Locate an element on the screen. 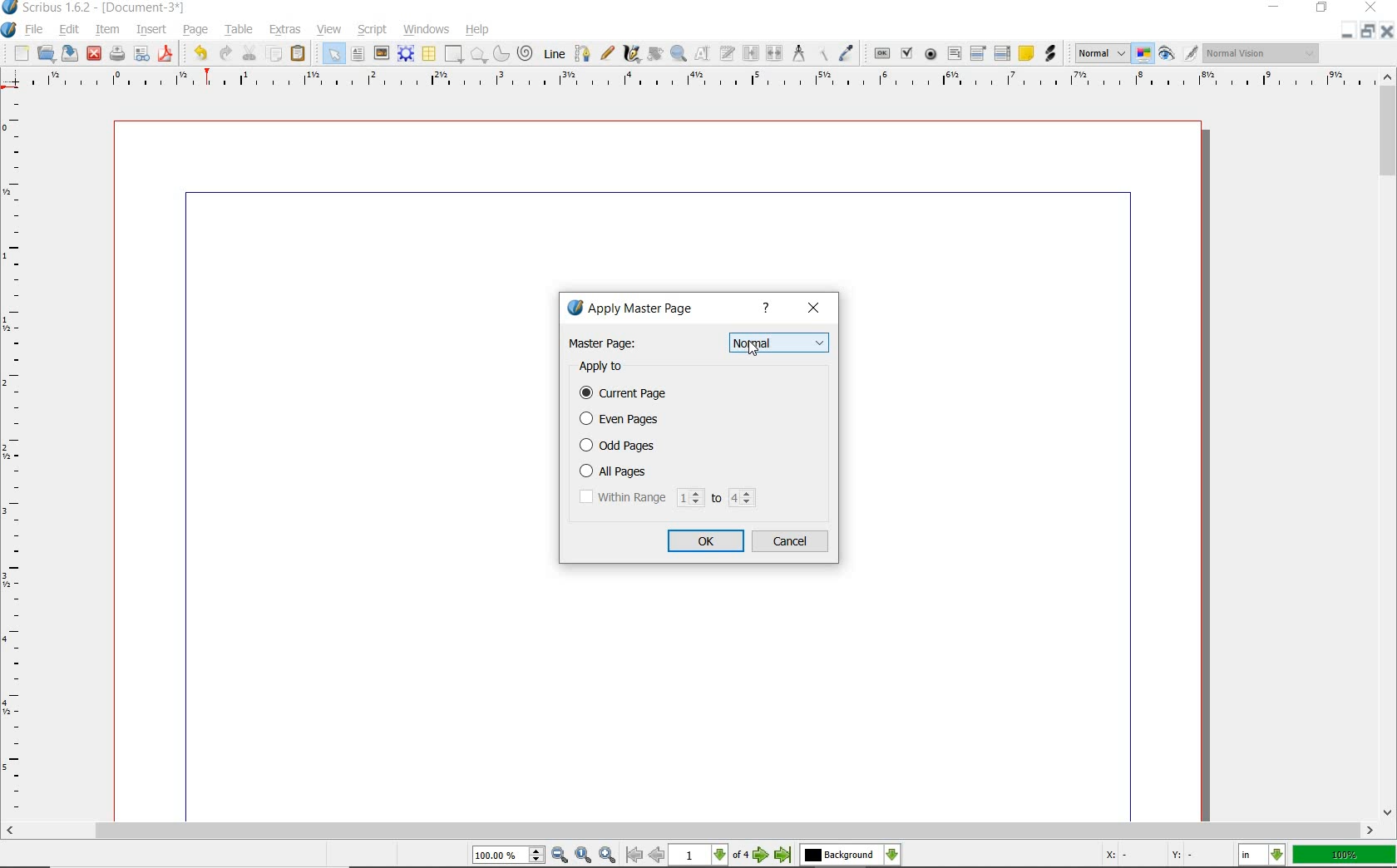  1 of 4 is located at coordinates (711, 856).